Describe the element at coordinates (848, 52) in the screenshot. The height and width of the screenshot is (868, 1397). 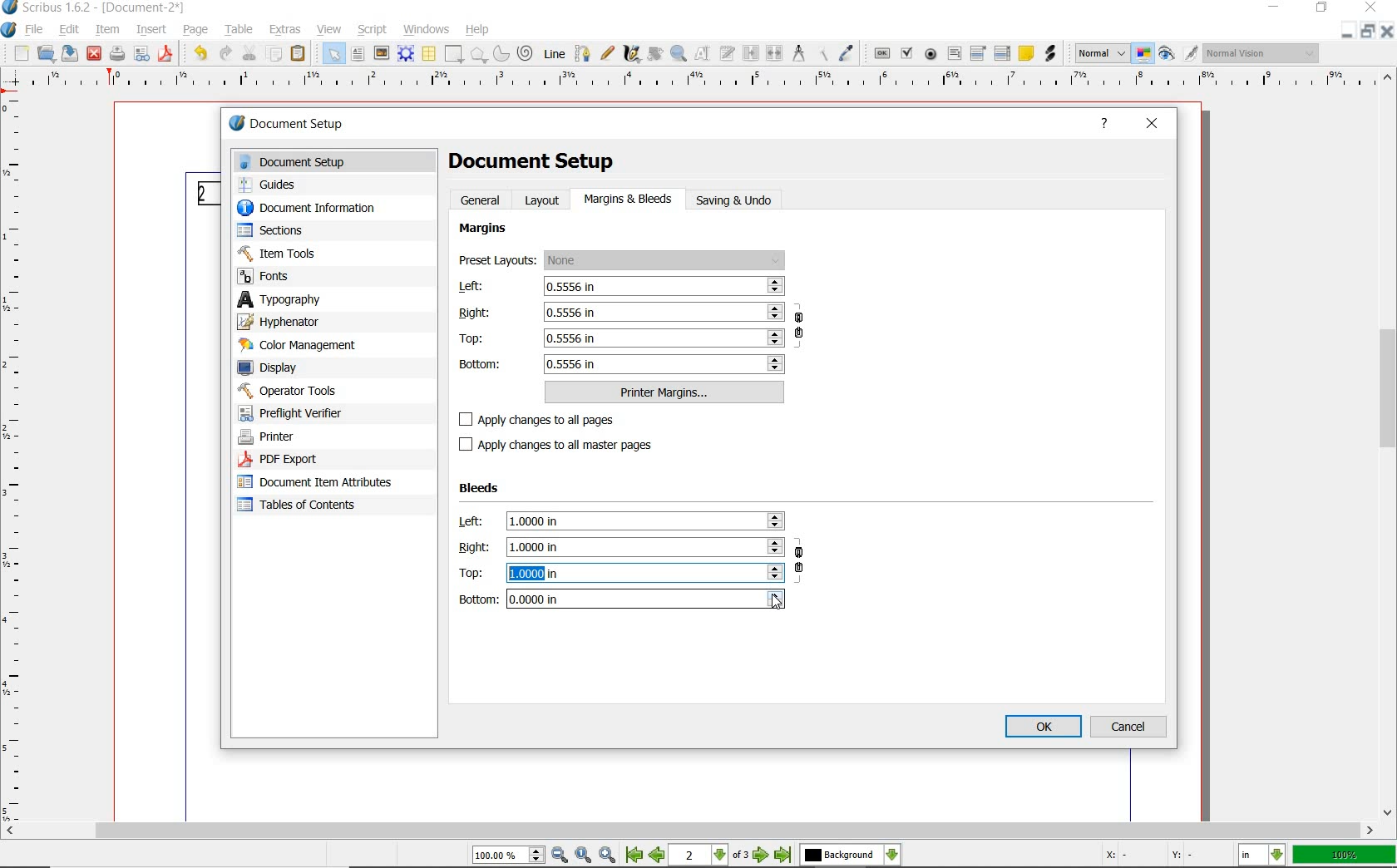
I see `eye dropper` at that location.